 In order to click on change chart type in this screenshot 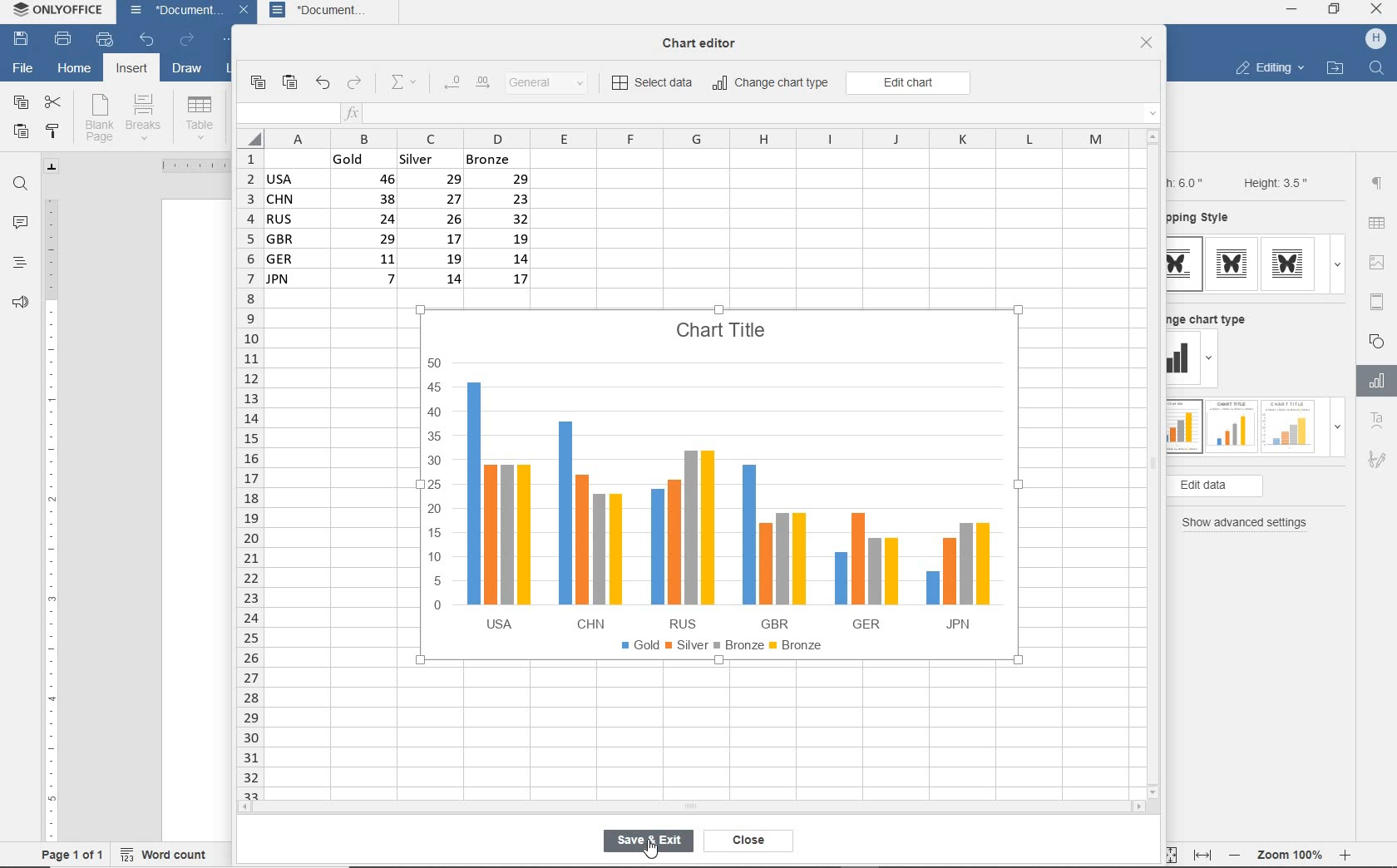, I will do `click(772, 84)`.